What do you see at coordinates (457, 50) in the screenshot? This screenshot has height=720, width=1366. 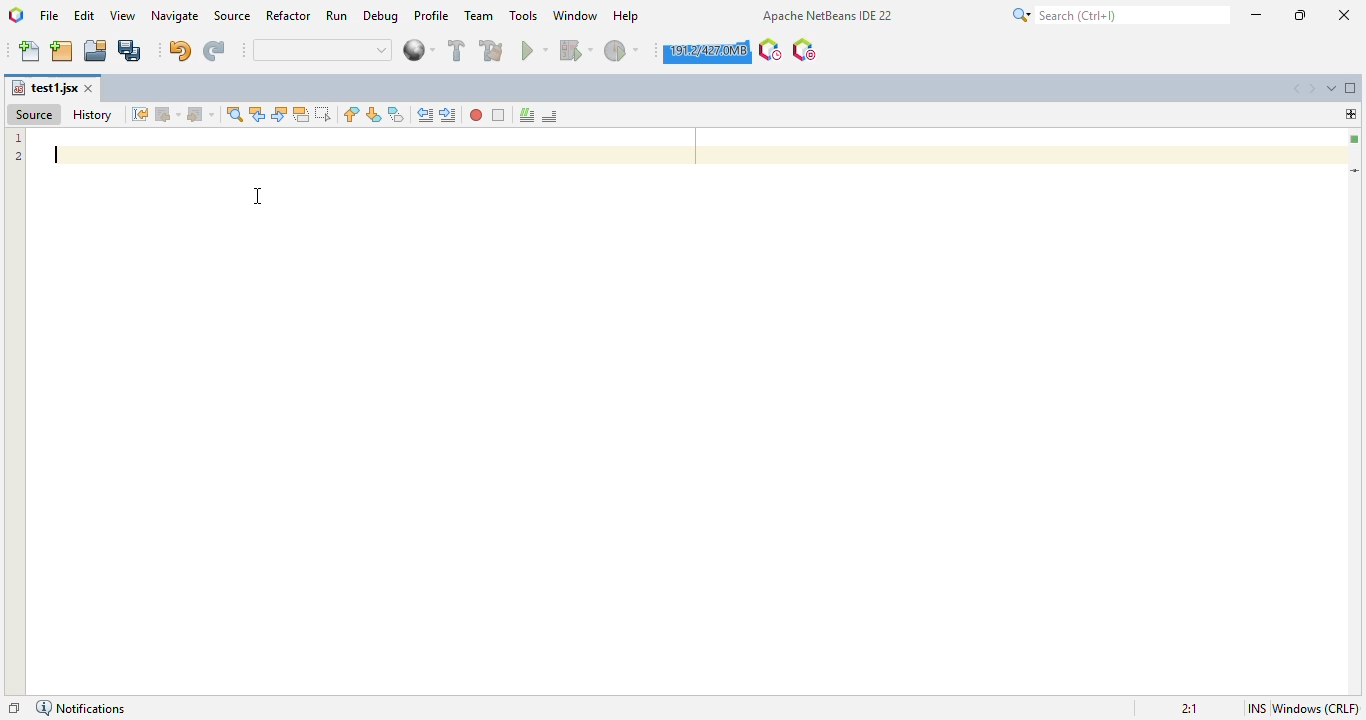 I see `build project` at bounding box center [457, 50].